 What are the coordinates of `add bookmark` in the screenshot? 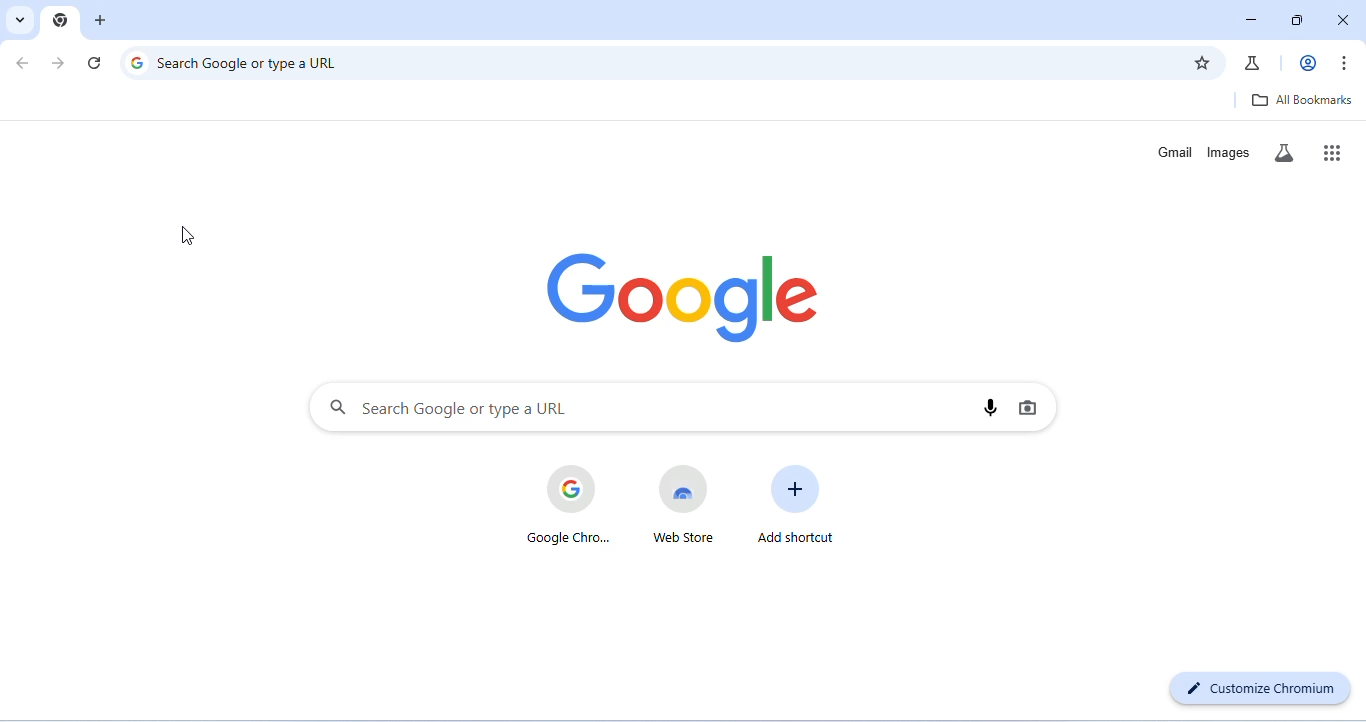 It's located at (1205, 64).